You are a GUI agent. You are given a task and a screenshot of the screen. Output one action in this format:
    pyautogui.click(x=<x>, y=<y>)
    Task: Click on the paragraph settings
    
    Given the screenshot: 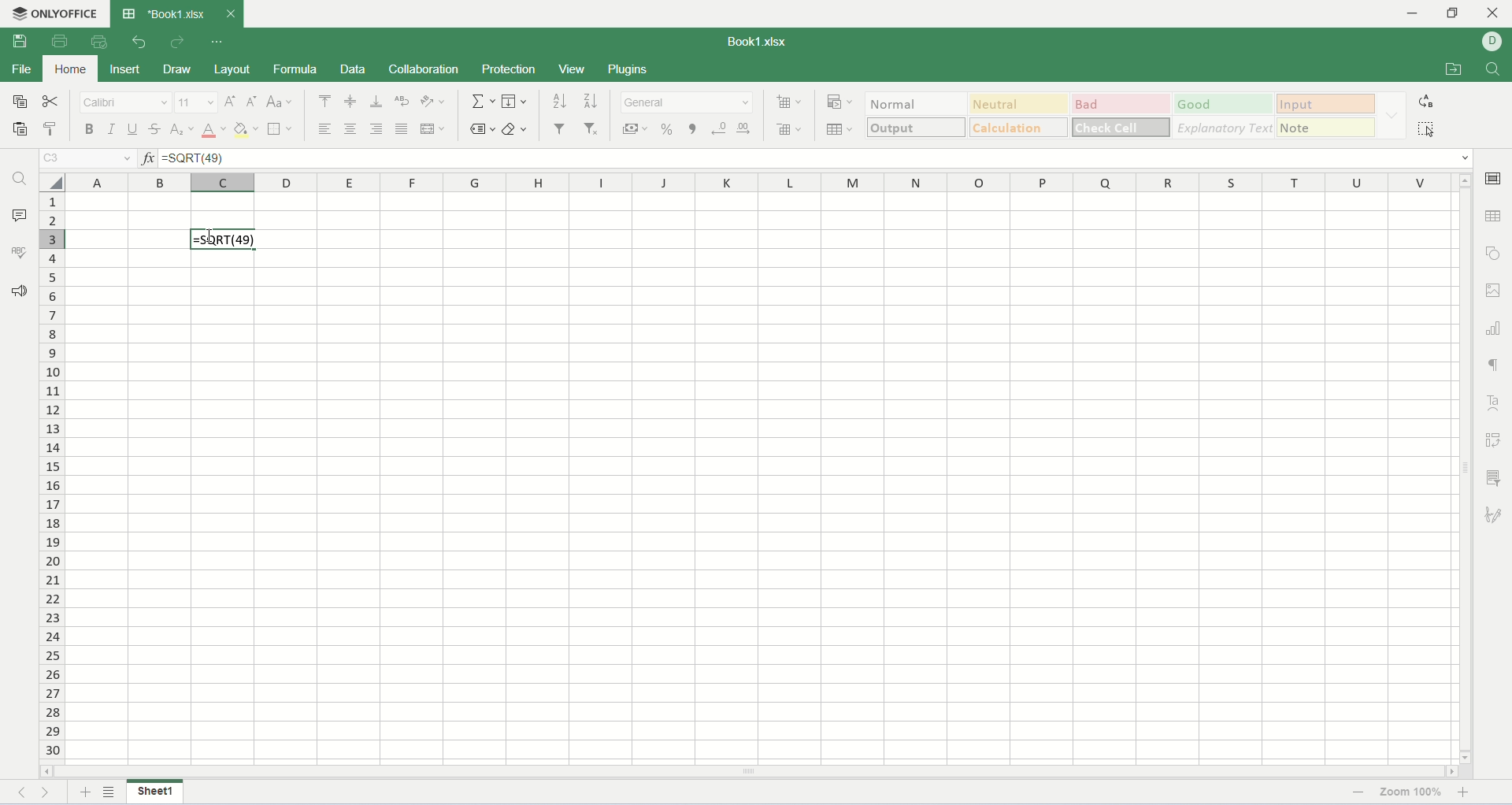 What is the action you would take?
    pyautogui.click(x=1495, y=365)
    